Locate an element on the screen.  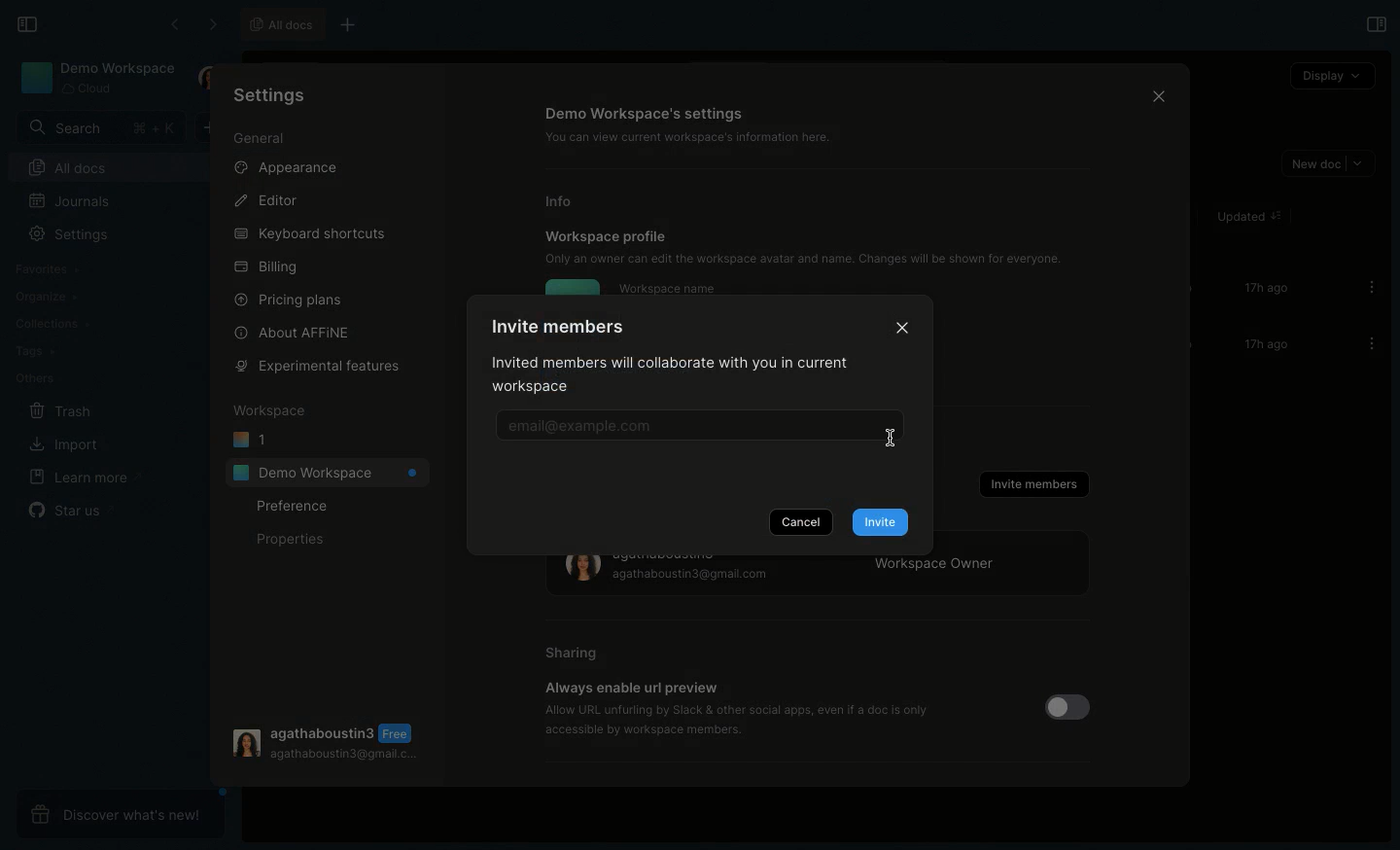
Invite is located at coordinates (880, 522).